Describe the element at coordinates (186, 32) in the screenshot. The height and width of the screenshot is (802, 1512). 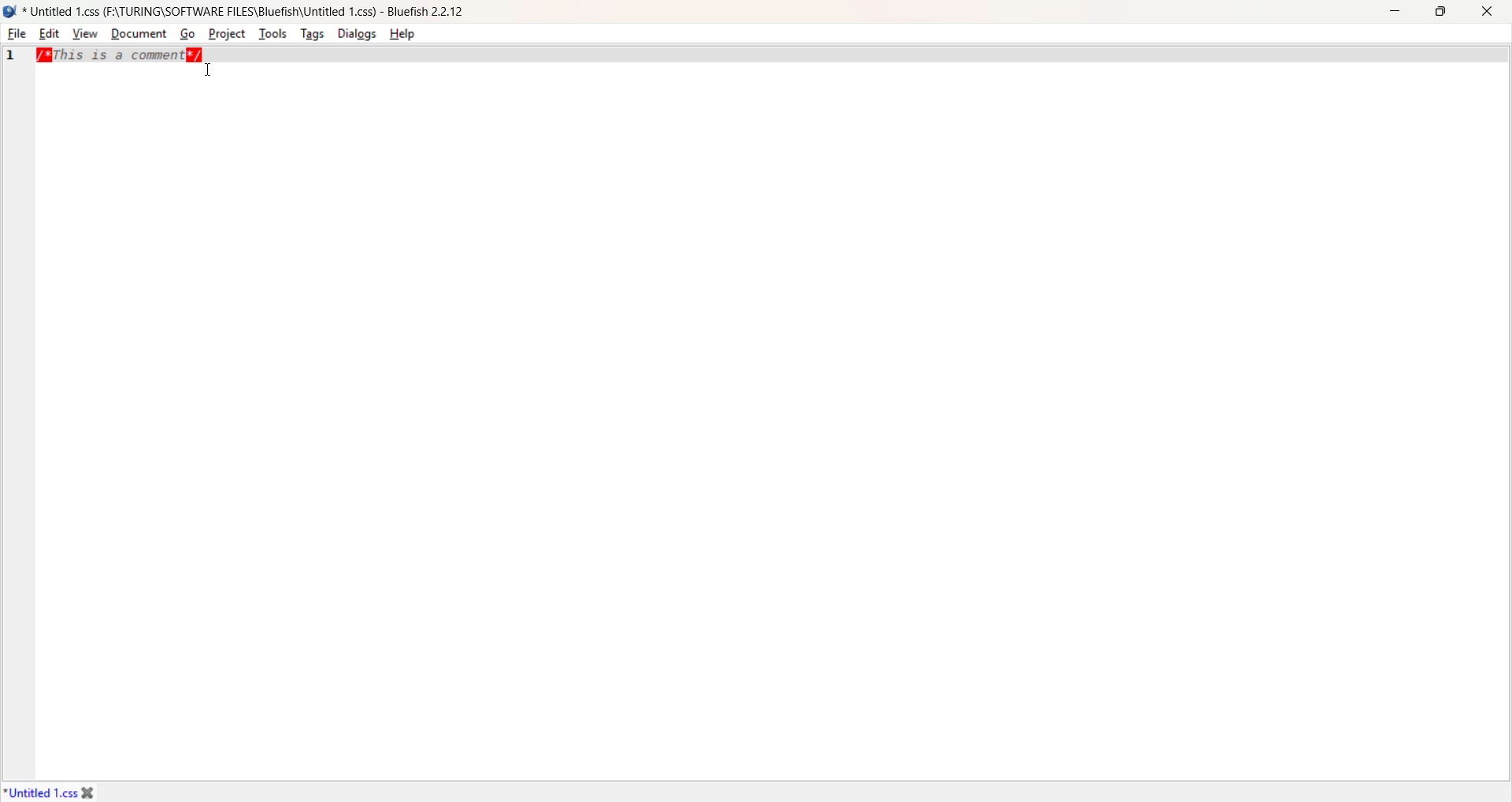
I see `Go` at that location.